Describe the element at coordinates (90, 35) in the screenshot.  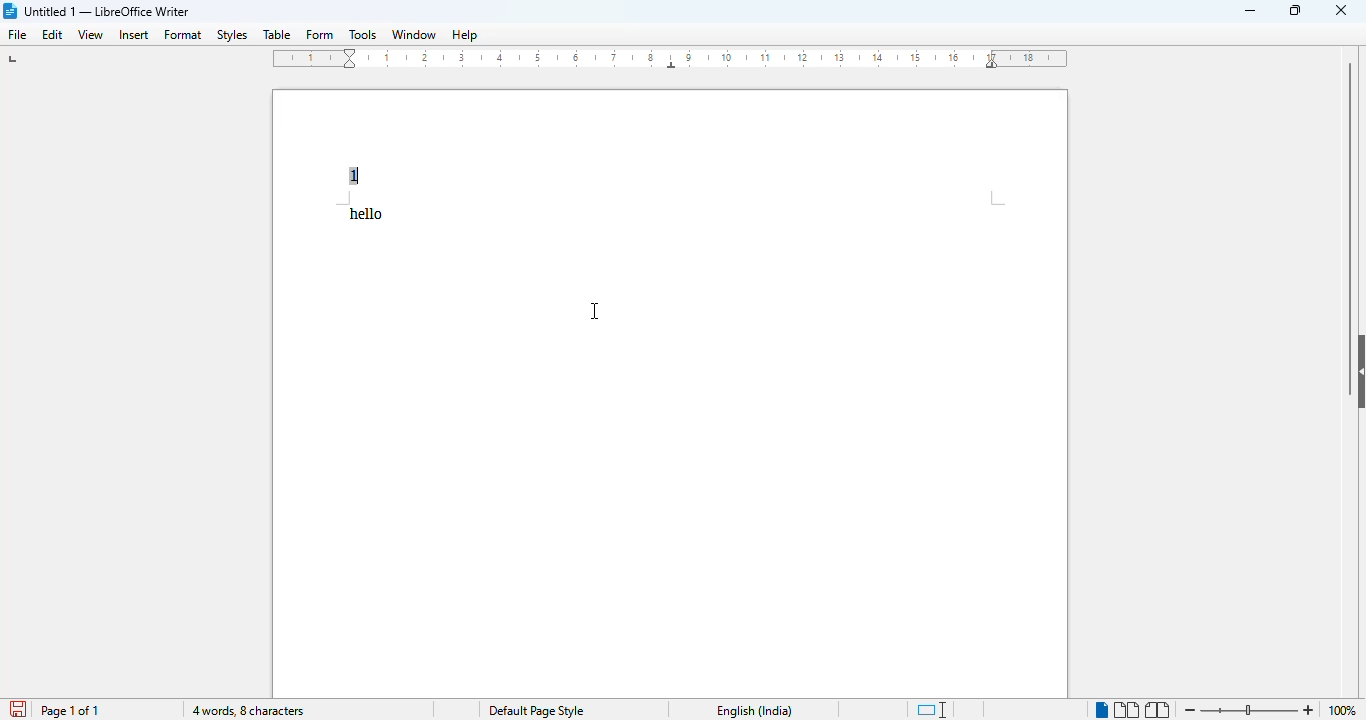
I see `view` at that location.